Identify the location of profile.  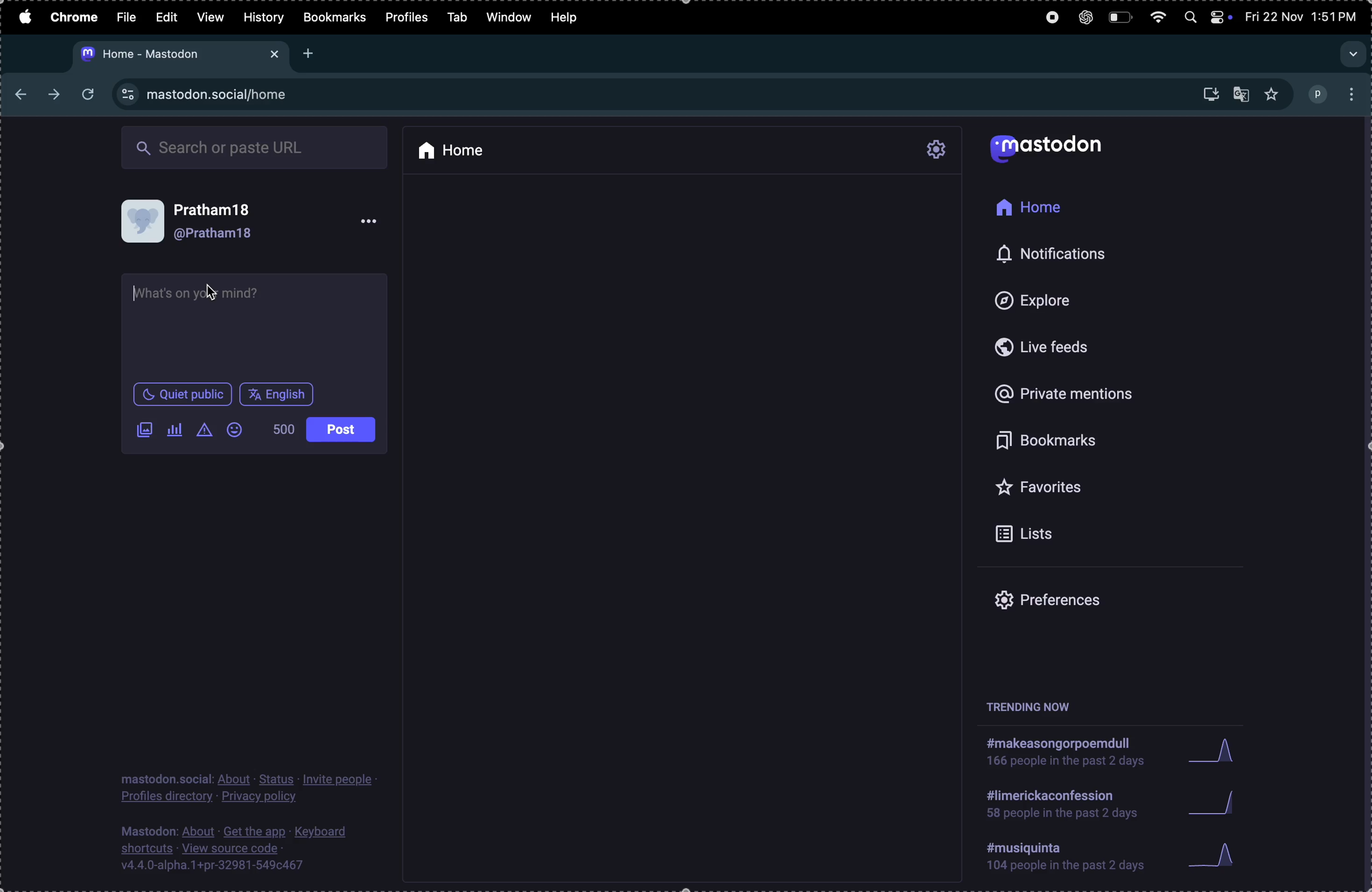
(1317, 92).